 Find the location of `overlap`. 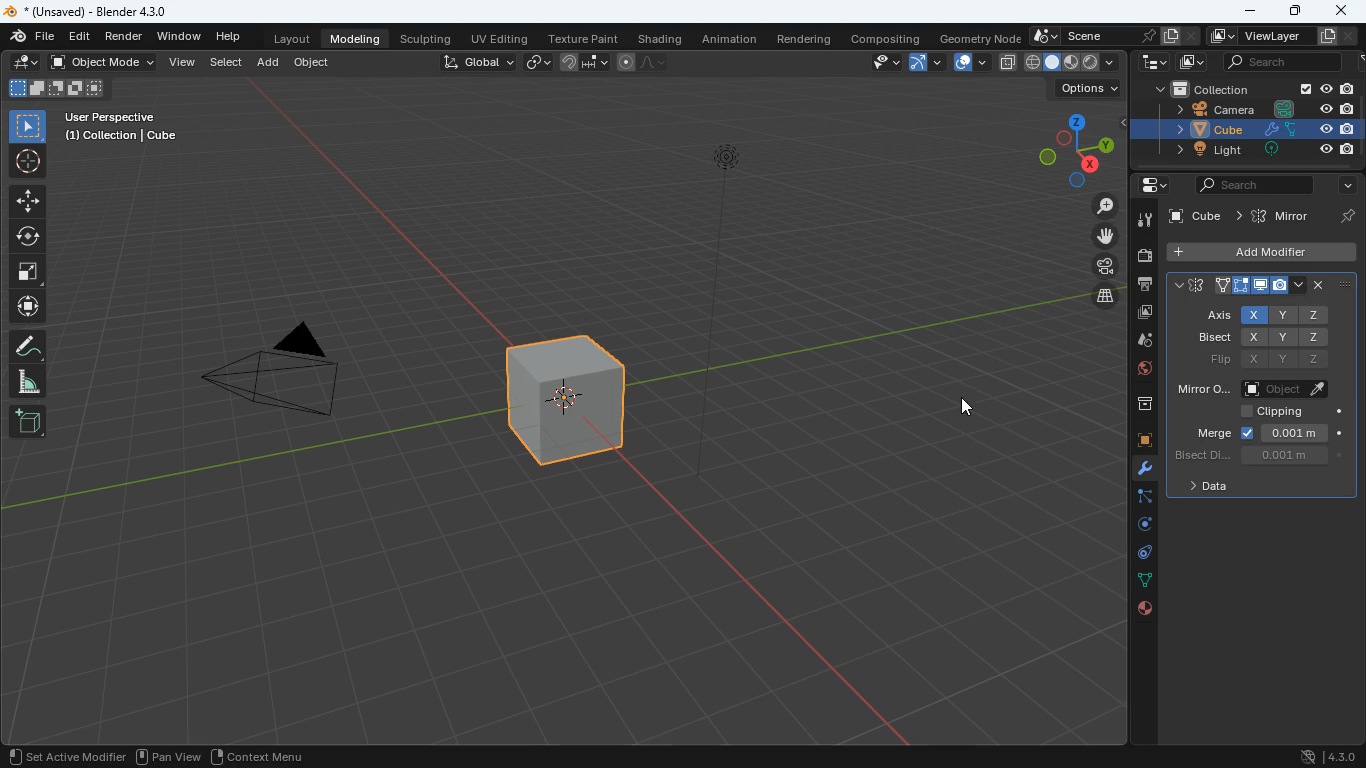

overlap is located at coordinates (971, 63).